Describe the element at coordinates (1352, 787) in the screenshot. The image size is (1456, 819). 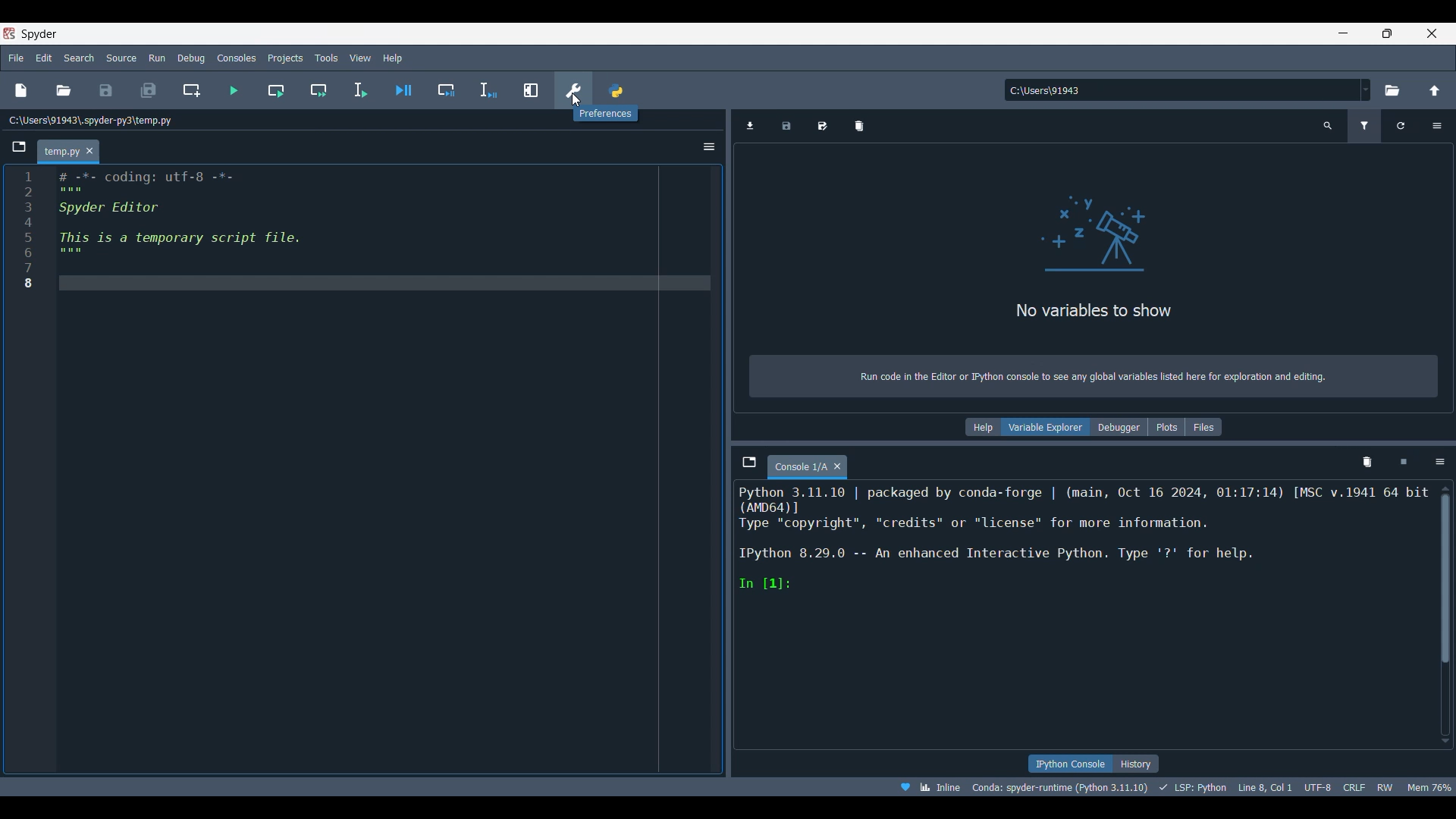
I see `crlf` at that location.